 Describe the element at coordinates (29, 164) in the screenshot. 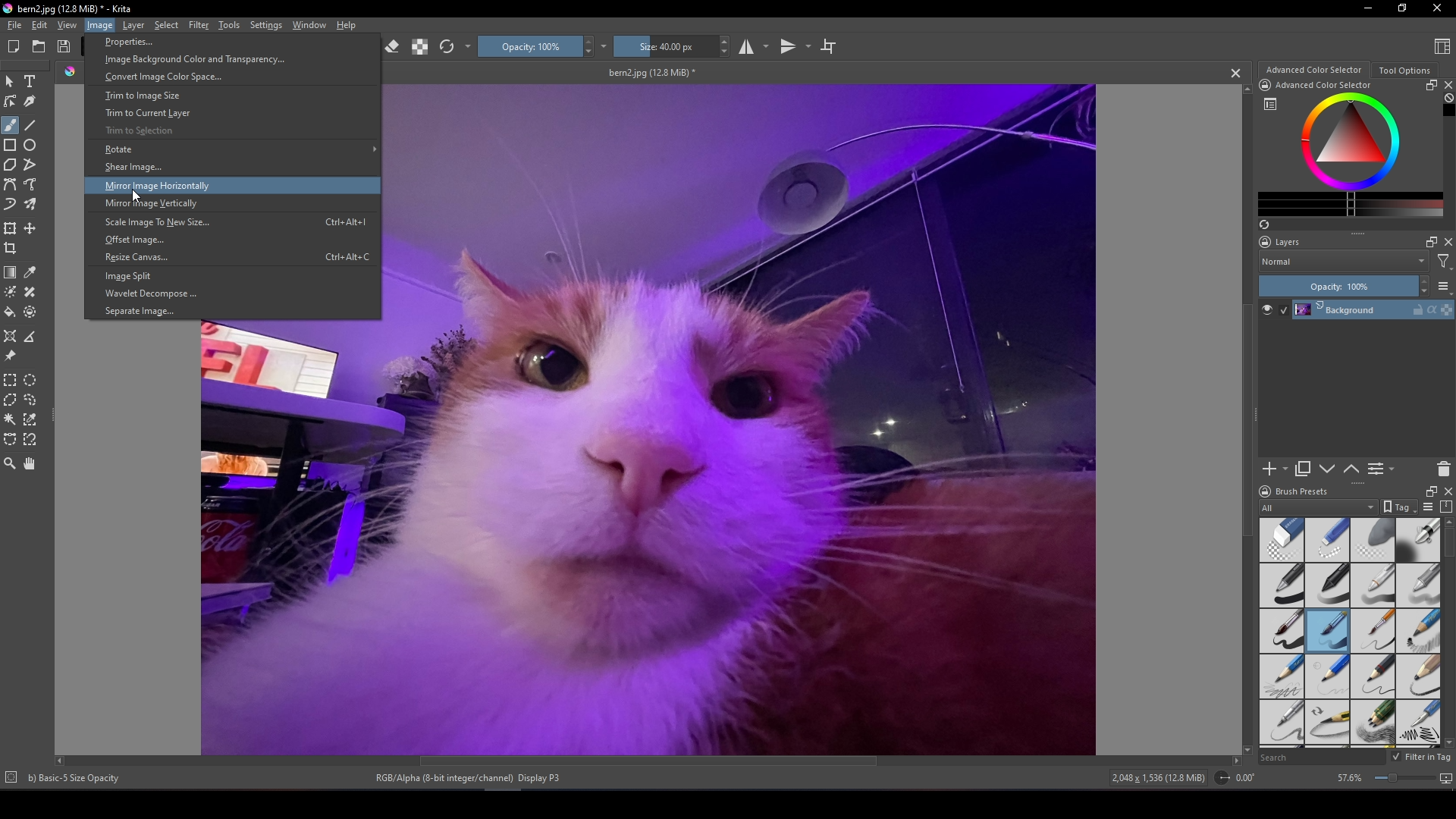

I see `Polyline tool` at that location.